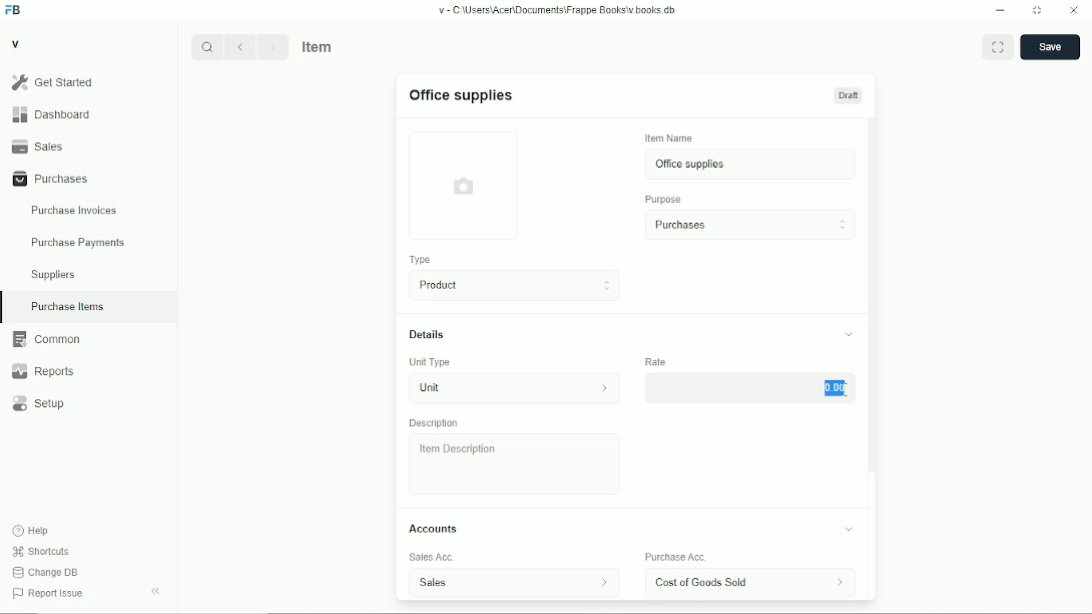 Image resolution: width=1092 pixels, height=614 pixels. Describe the element at coordinates (47, 339) in the screenshot. I see `common` at that location.